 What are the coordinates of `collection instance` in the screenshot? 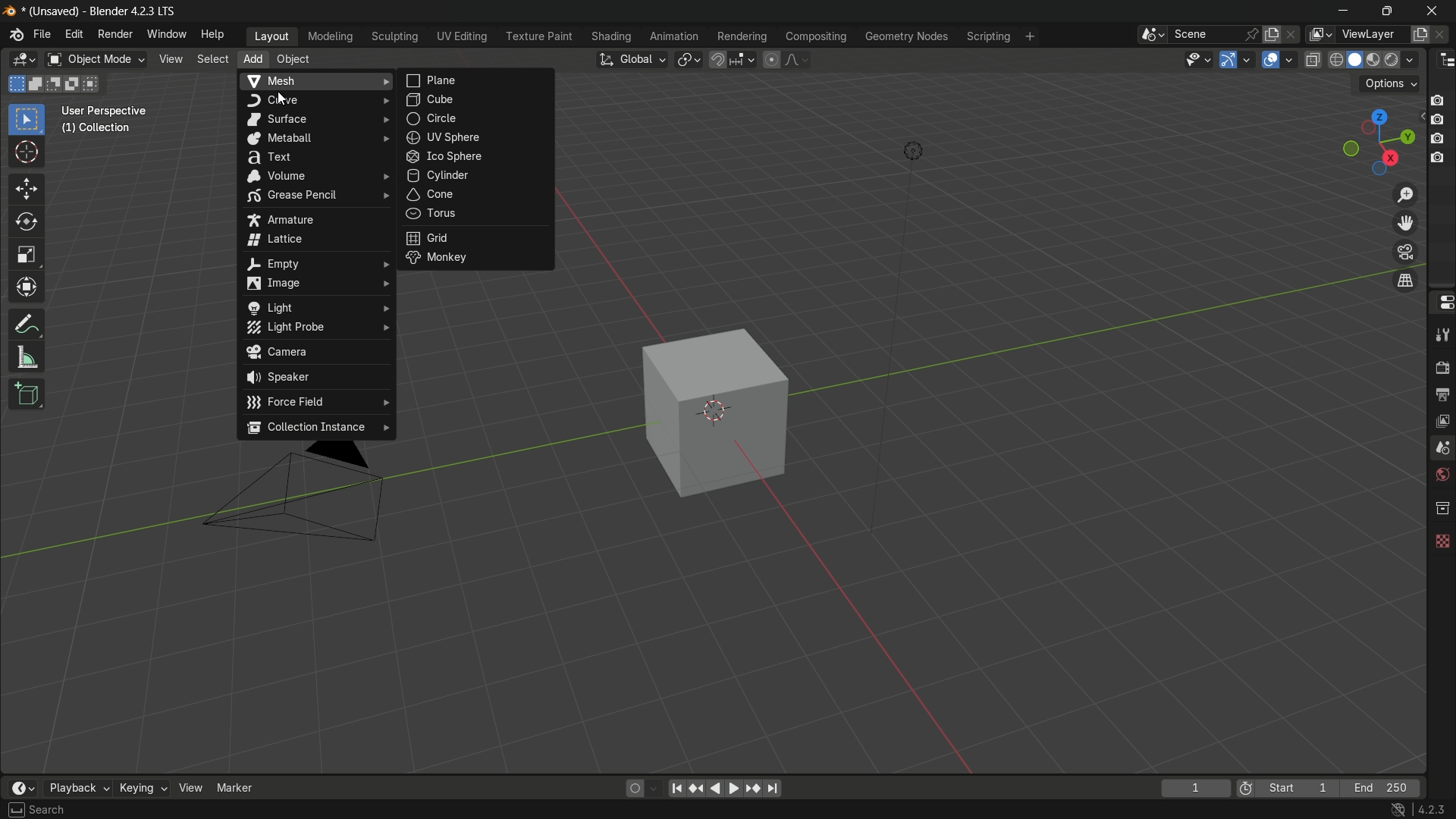 It's located at (317, 429).